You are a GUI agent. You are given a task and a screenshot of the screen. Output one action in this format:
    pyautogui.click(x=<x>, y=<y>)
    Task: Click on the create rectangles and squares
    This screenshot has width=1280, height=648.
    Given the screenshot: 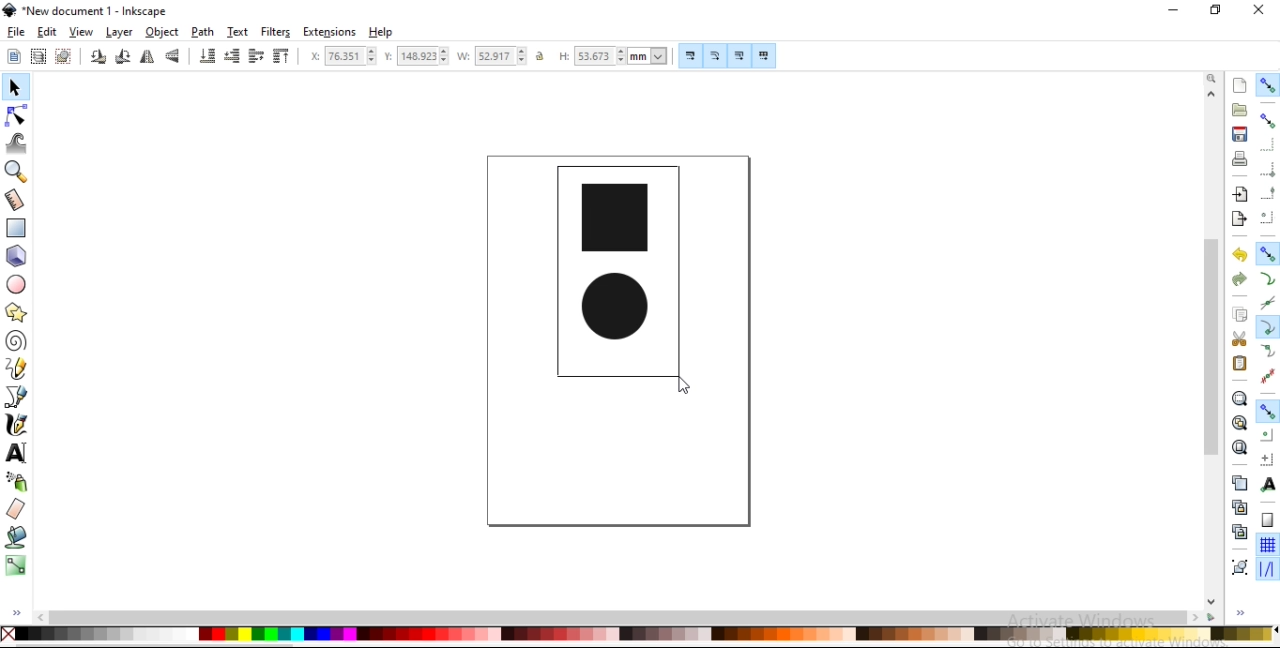 What is the action you would take?
    pyautogui.click(x=16, y=228)
    